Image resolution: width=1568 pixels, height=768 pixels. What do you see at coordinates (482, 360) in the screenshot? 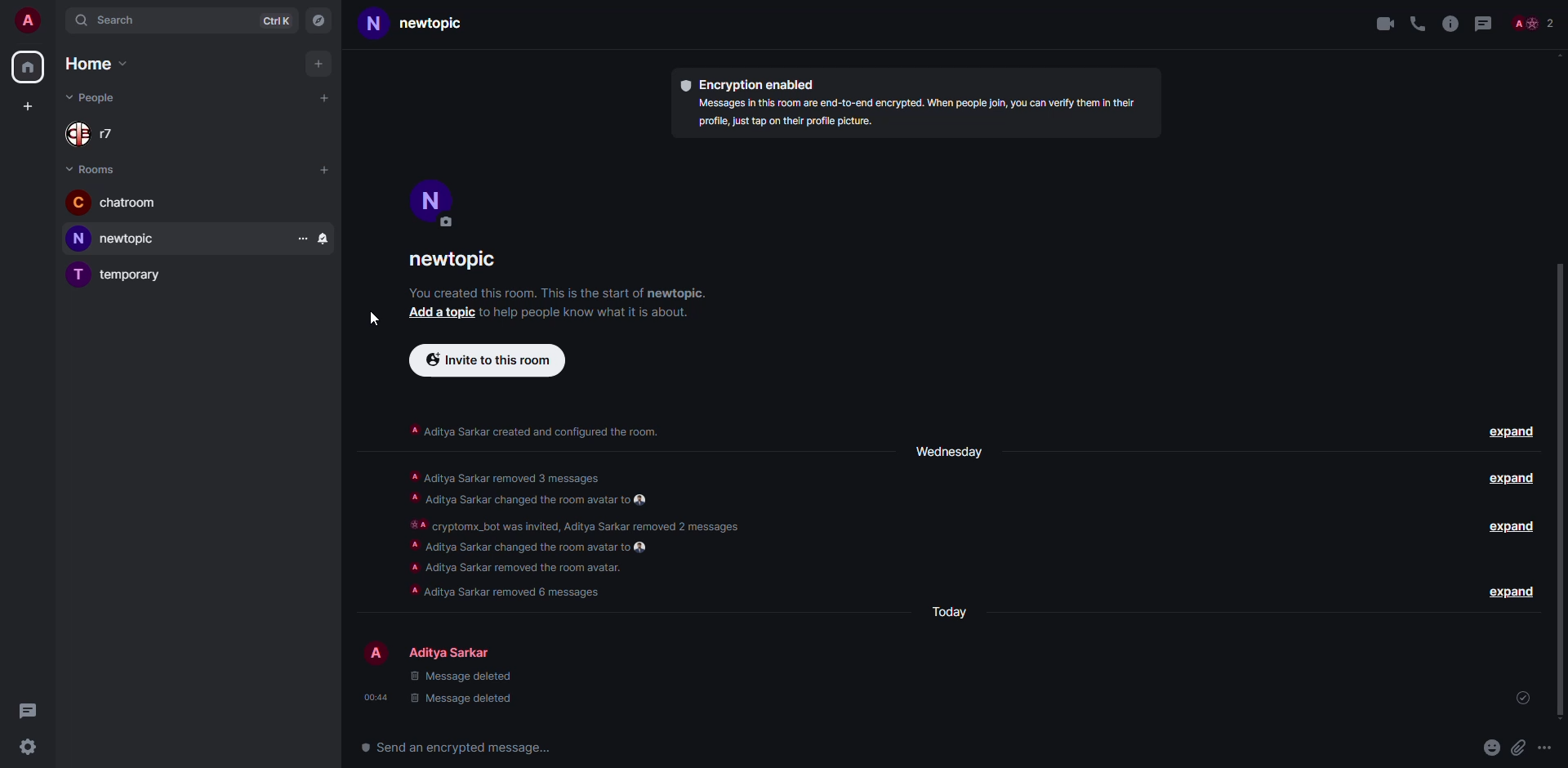
I see `invite to this room` at bounding box center [482, 360].